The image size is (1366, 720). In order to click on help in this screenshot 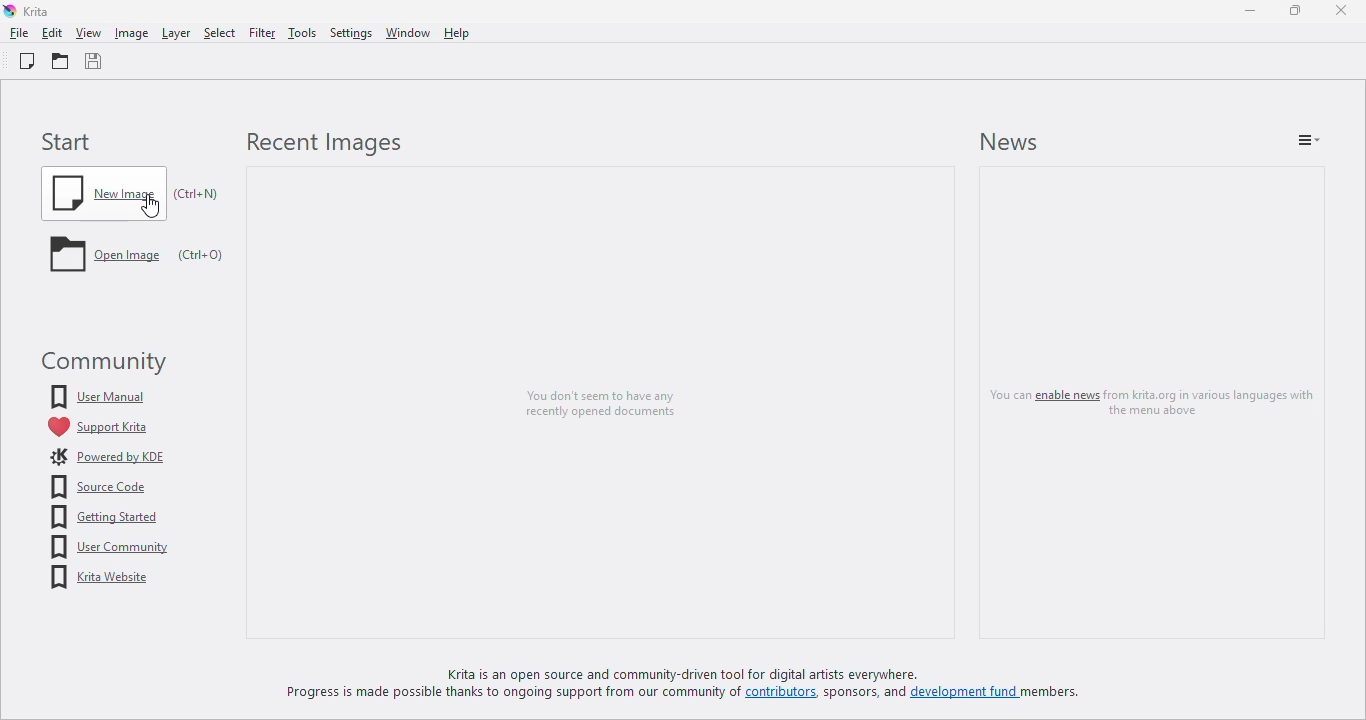, I will do `click(456, 33)`.